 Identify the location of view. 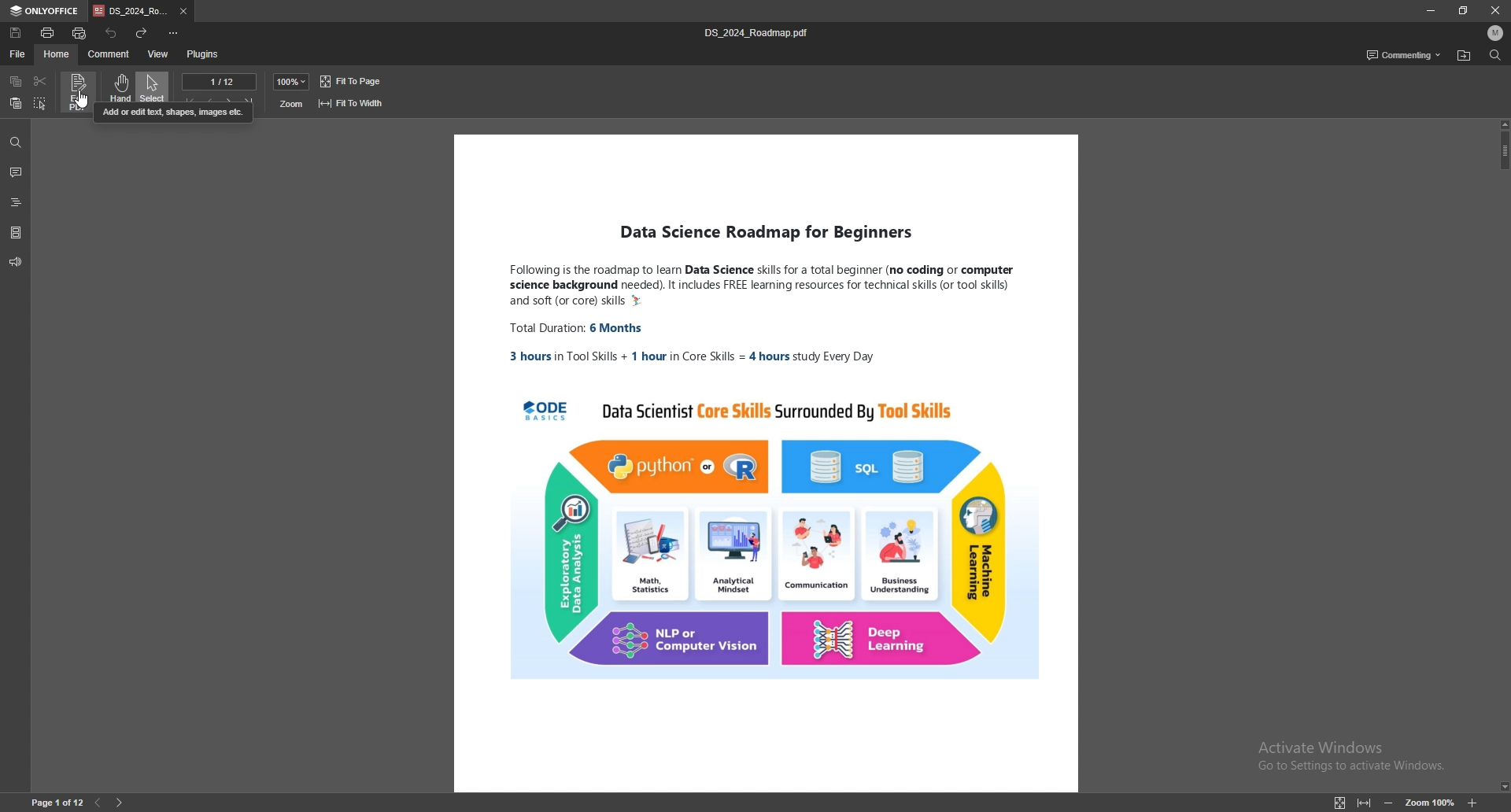
(158, 54).